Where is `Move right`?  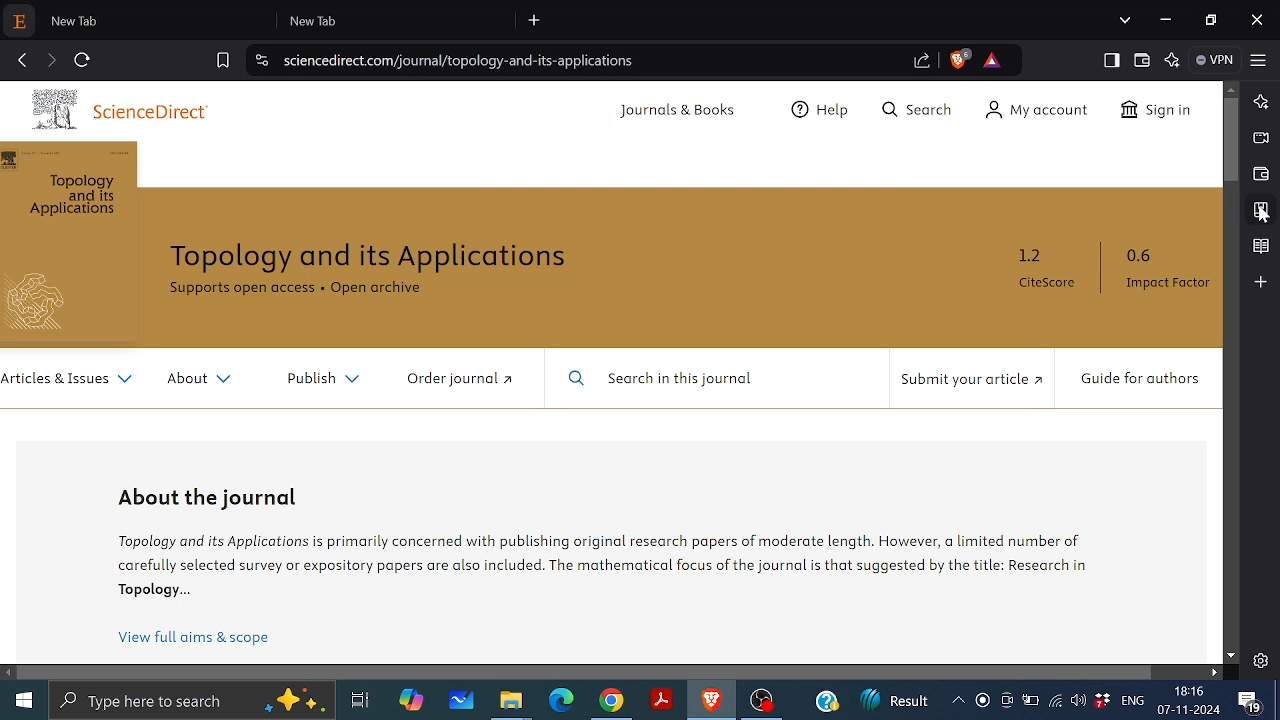 Move right is located at coordinates (1215, 672).